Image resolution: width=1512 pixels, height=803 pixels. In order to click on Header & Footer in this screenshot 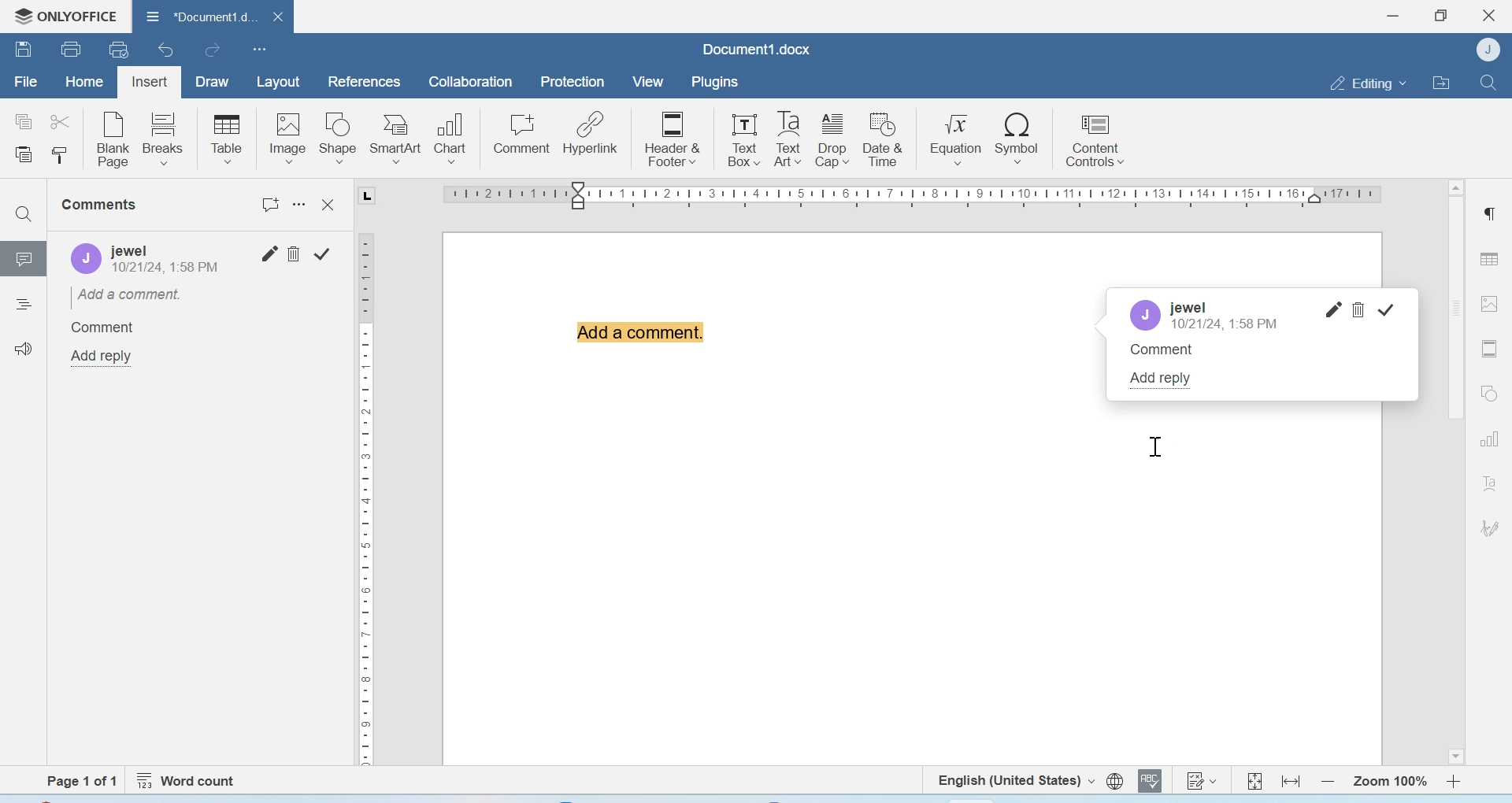, I will do `click(673, 137)`.